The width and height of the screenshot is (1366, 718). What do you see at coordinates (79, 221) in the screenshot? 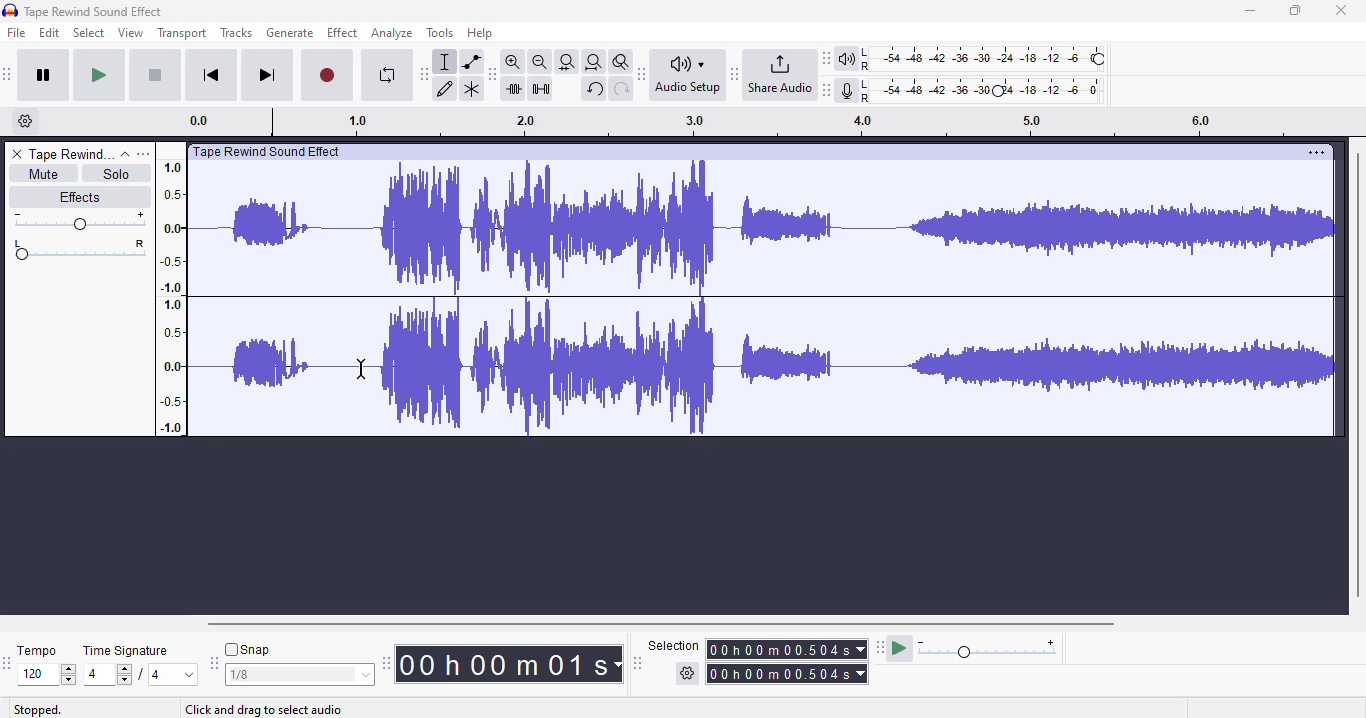
I see `volume` at bounding box center [79, 221].